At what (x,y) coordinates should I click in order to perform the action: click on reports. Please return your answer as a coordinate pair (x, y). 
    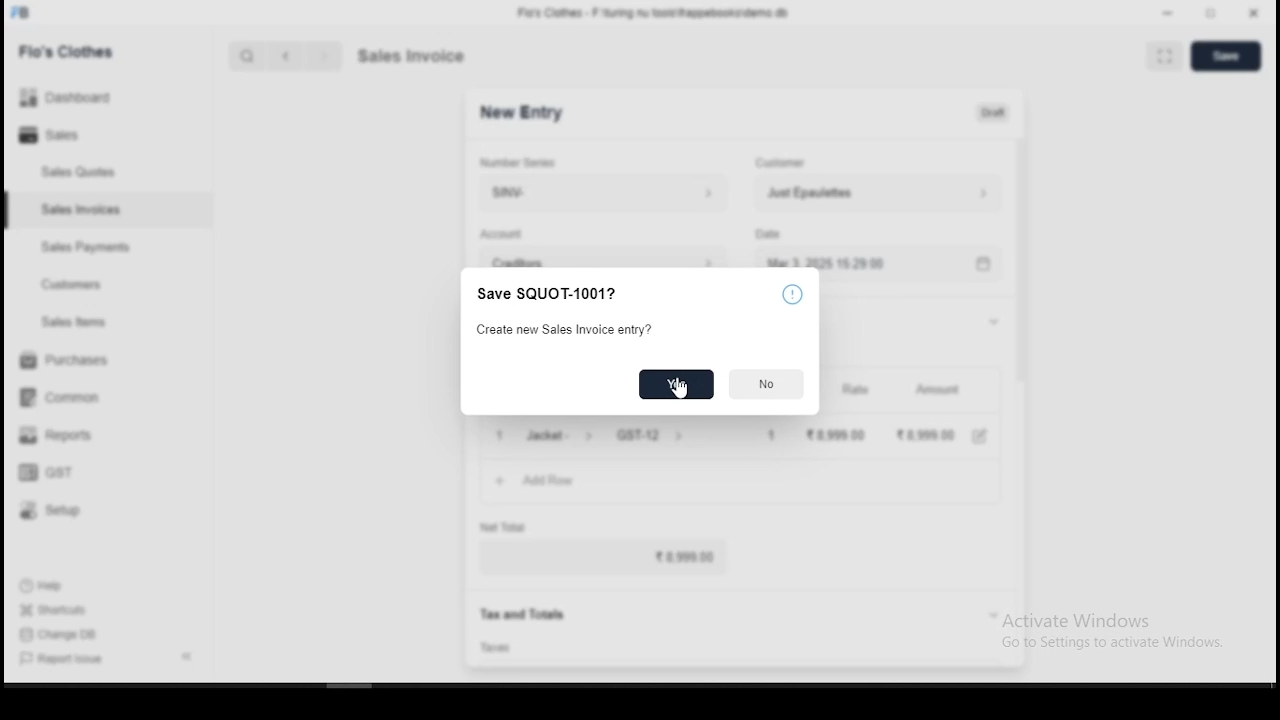
    Looking at the image, I should click on (58, 437).